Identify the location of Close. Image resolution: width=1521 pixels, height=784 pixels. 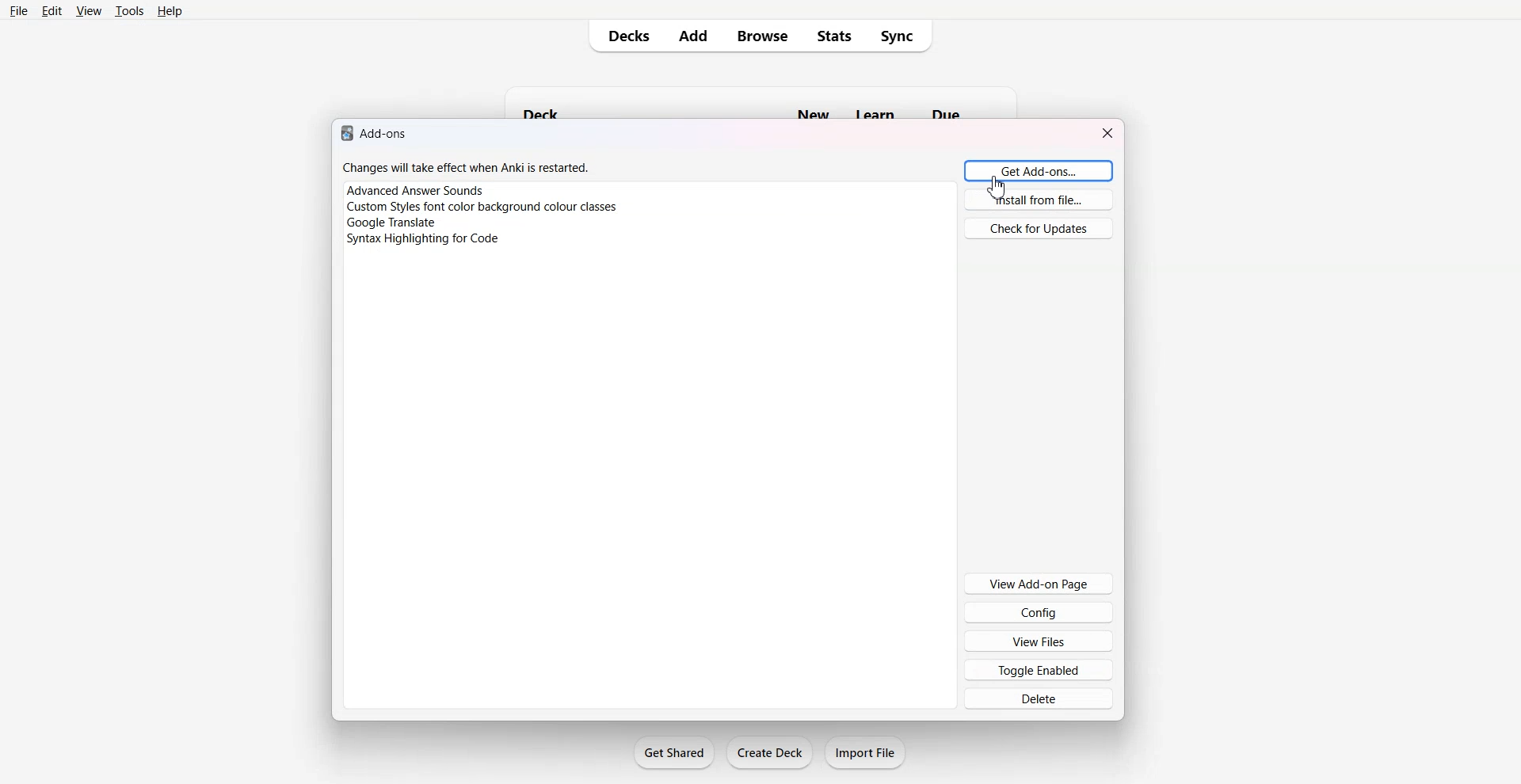
(1107, 133).